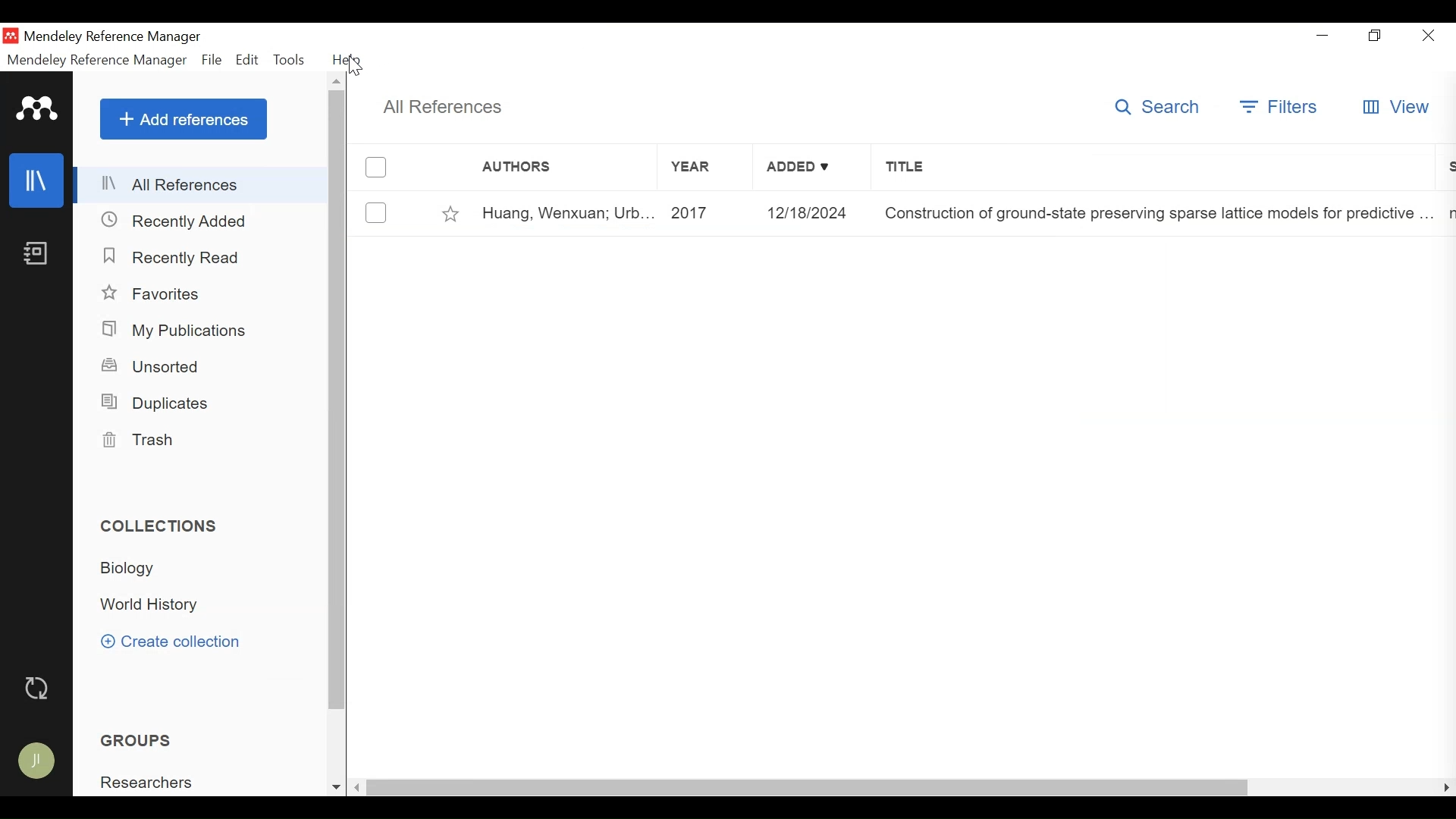  I want to click on Favorites, so click(154, 295).